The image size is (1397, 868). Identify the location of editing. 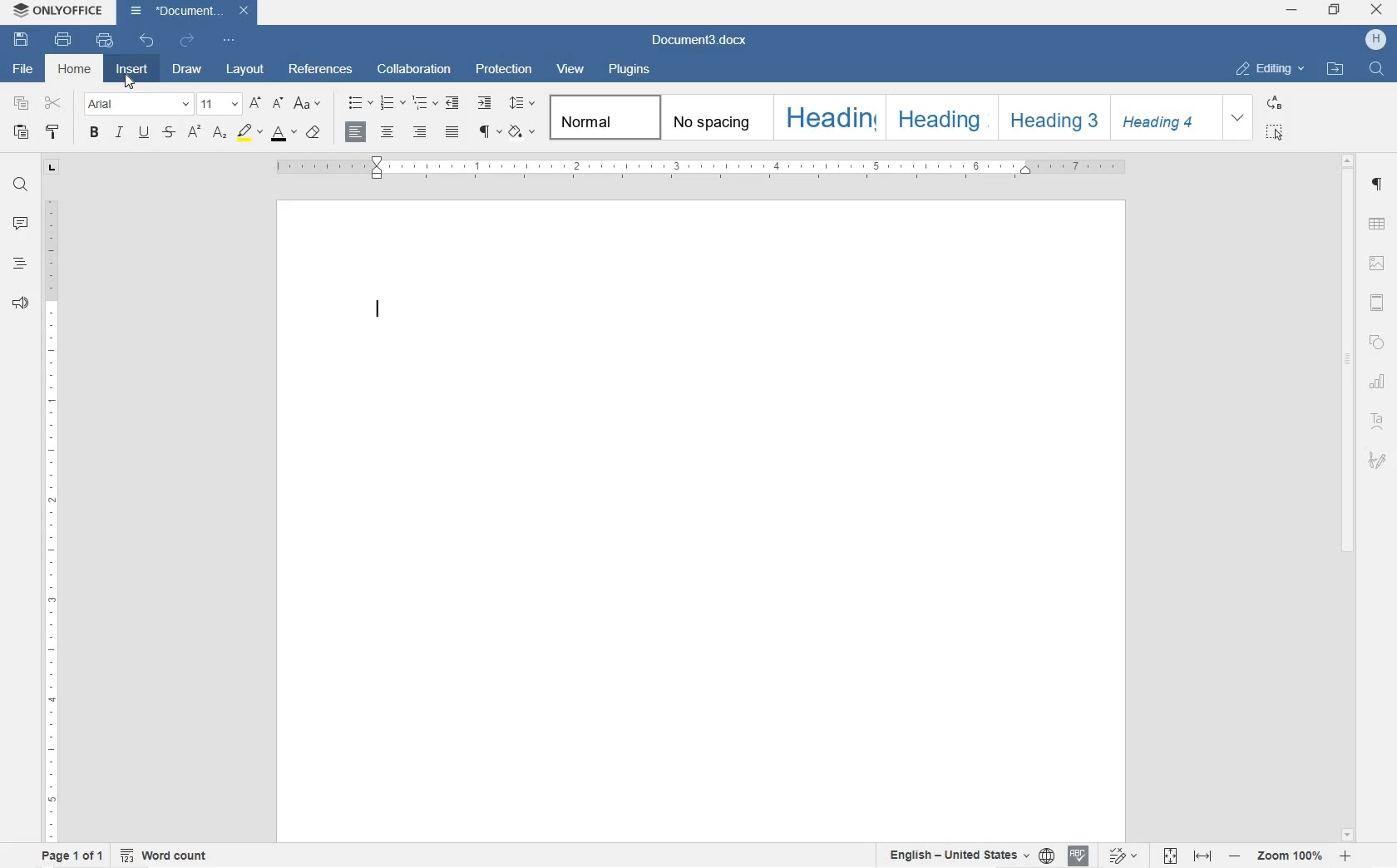
(1271, 68).